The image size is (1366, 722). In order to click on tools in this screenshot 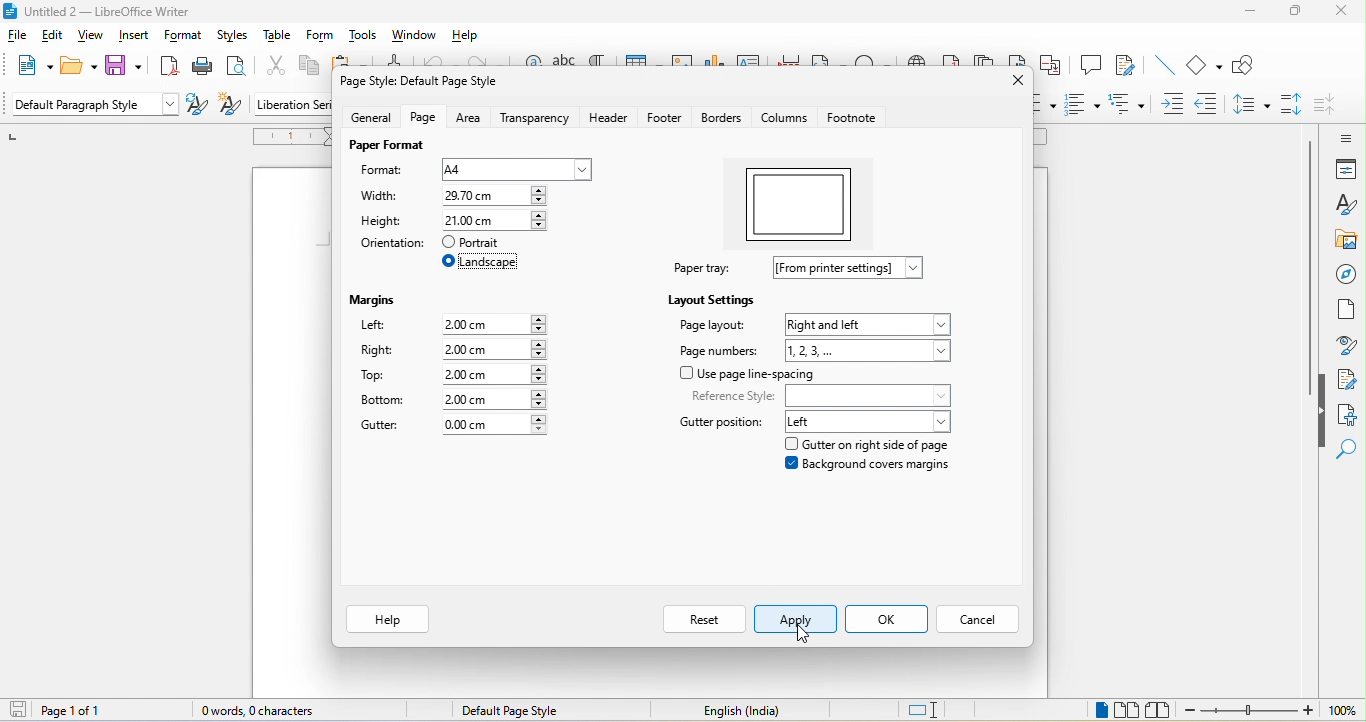, I will do `click(363, 38)`.